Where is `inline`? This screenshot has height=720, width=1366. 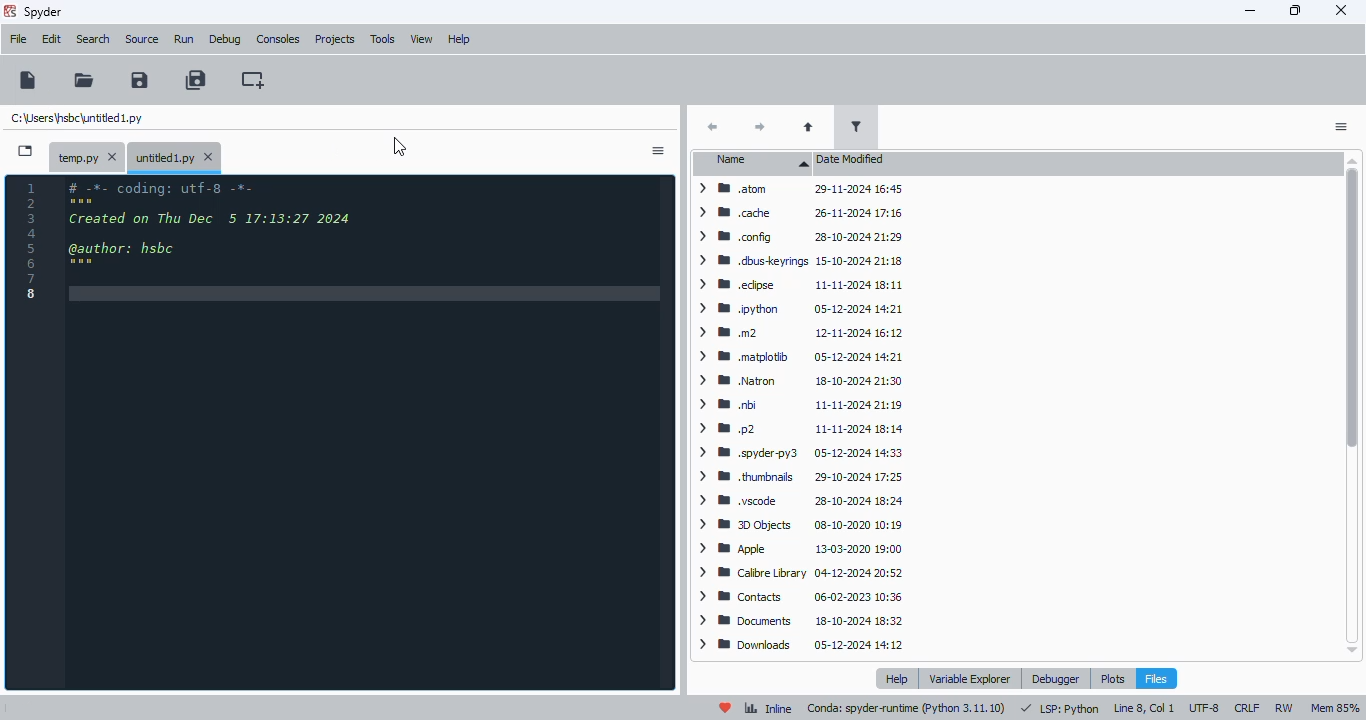 inline is located at coordinates (768, 708).